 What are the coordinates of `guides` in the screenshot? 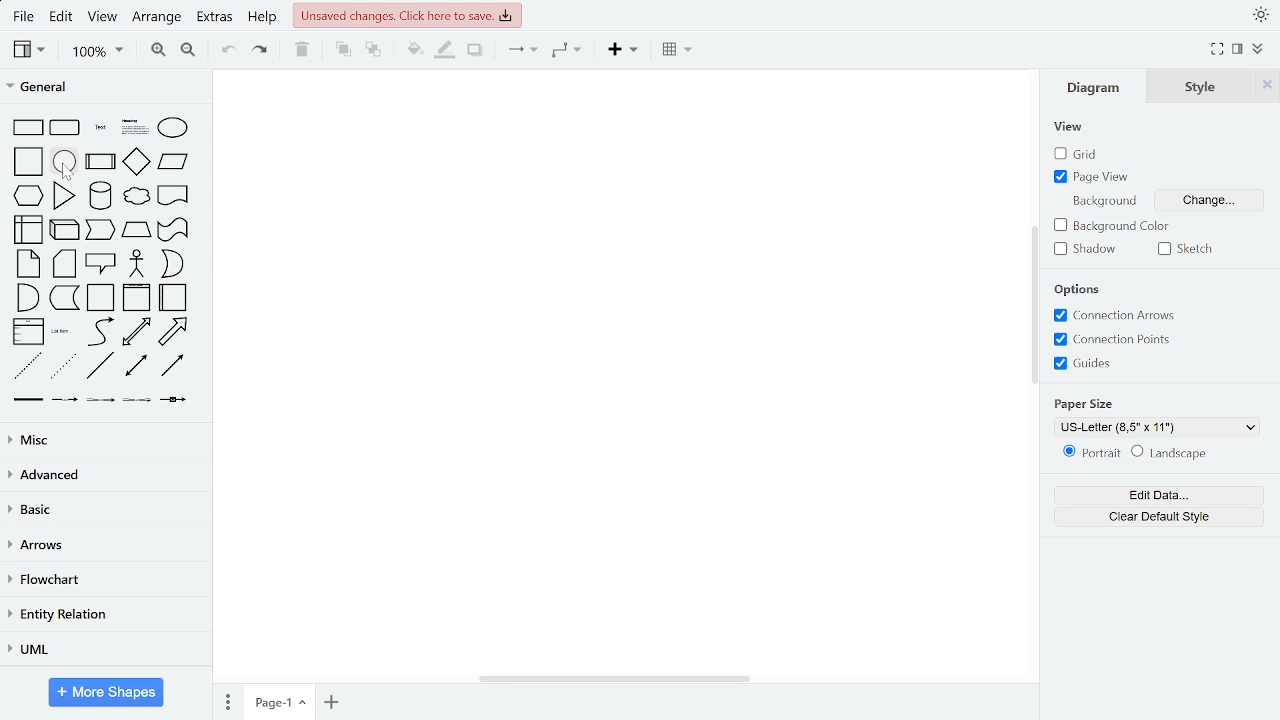 It's located at (1089, 365).